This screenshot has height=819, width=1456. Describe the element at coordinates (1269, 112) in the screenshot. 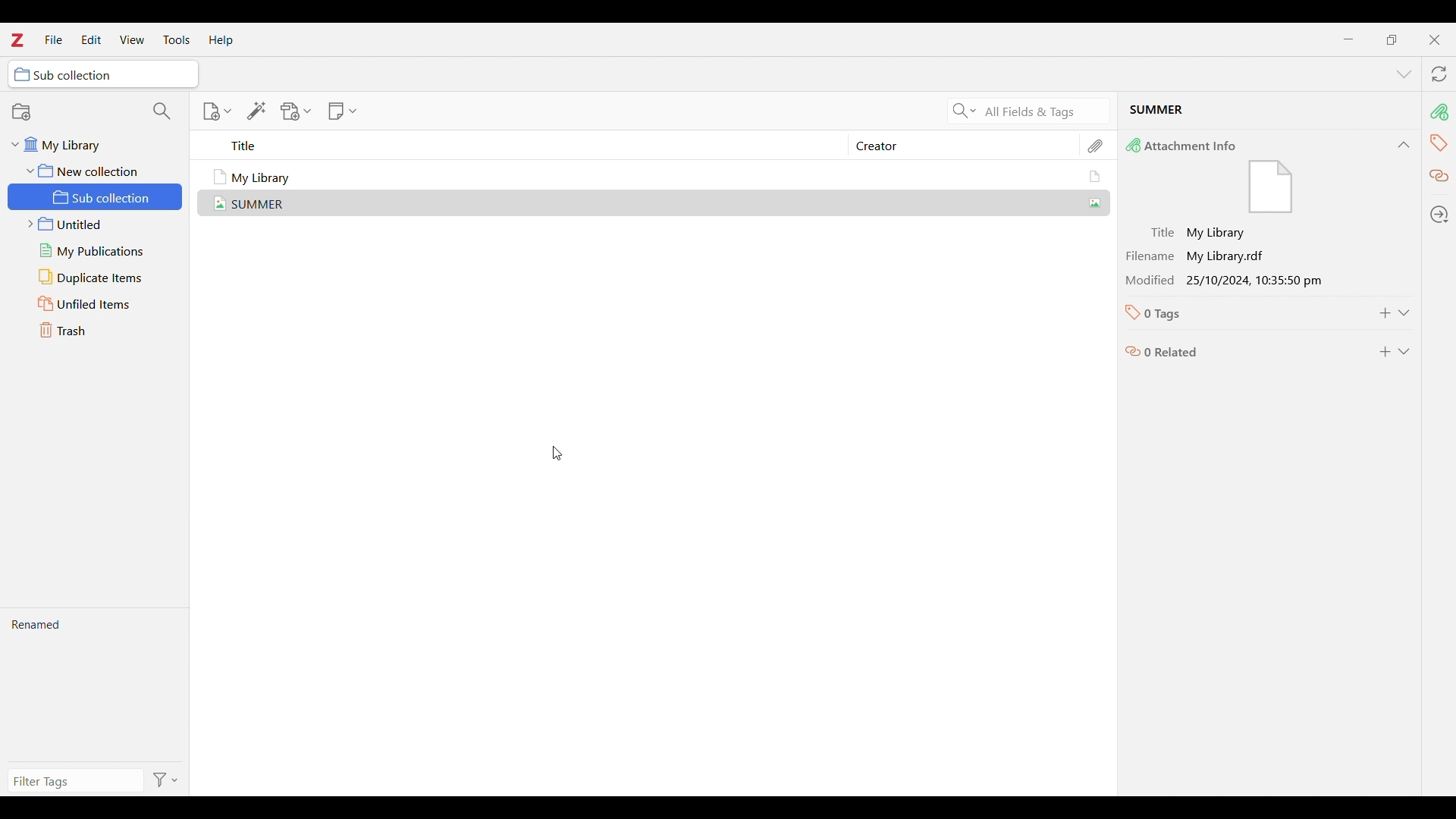

I see `Current selected file` at that location.